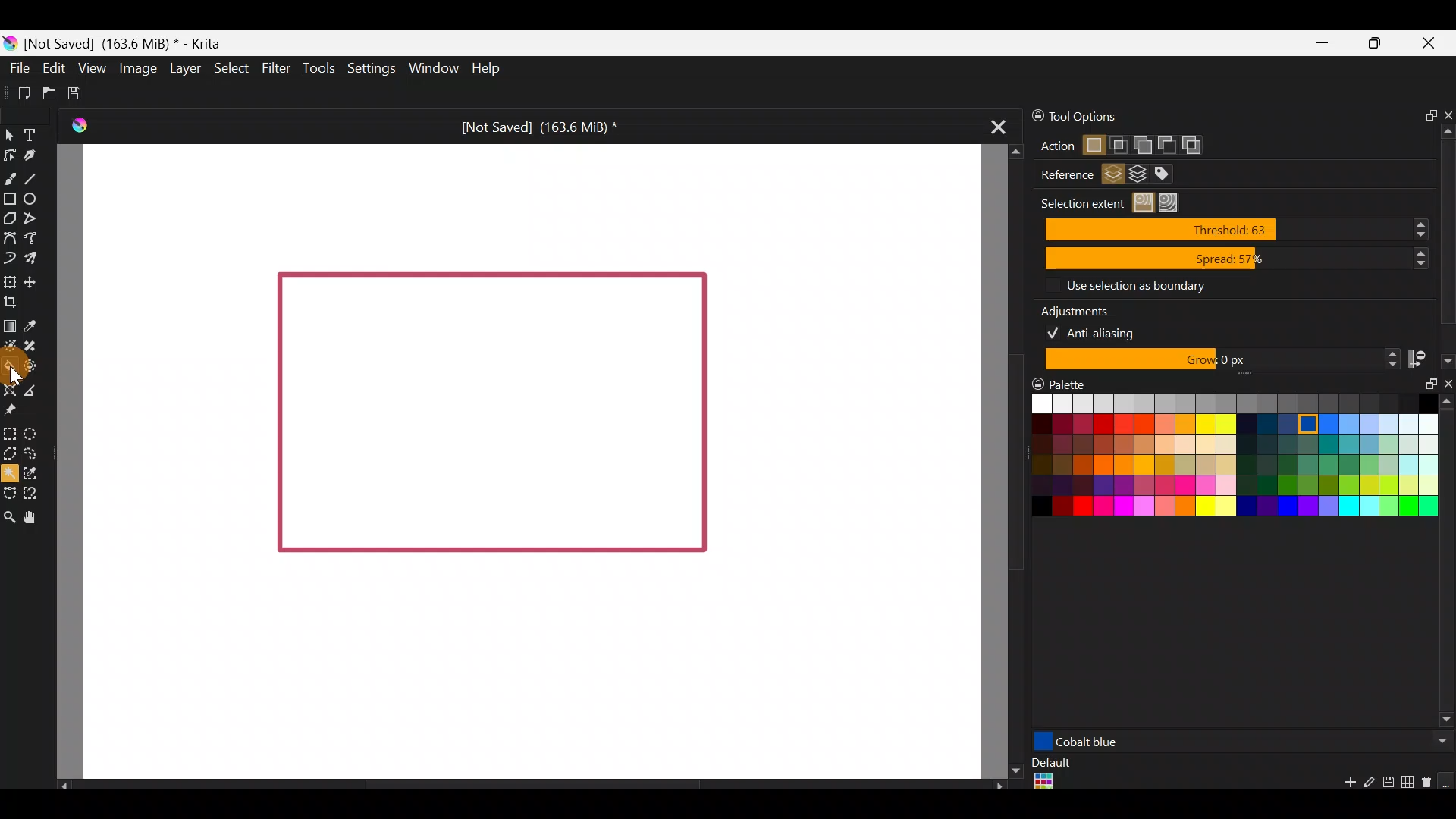 Image resolution: width=1456 pixels, height=819 pixels. I want to click on Sample a colour from the image/current layer, so click(33, 323).